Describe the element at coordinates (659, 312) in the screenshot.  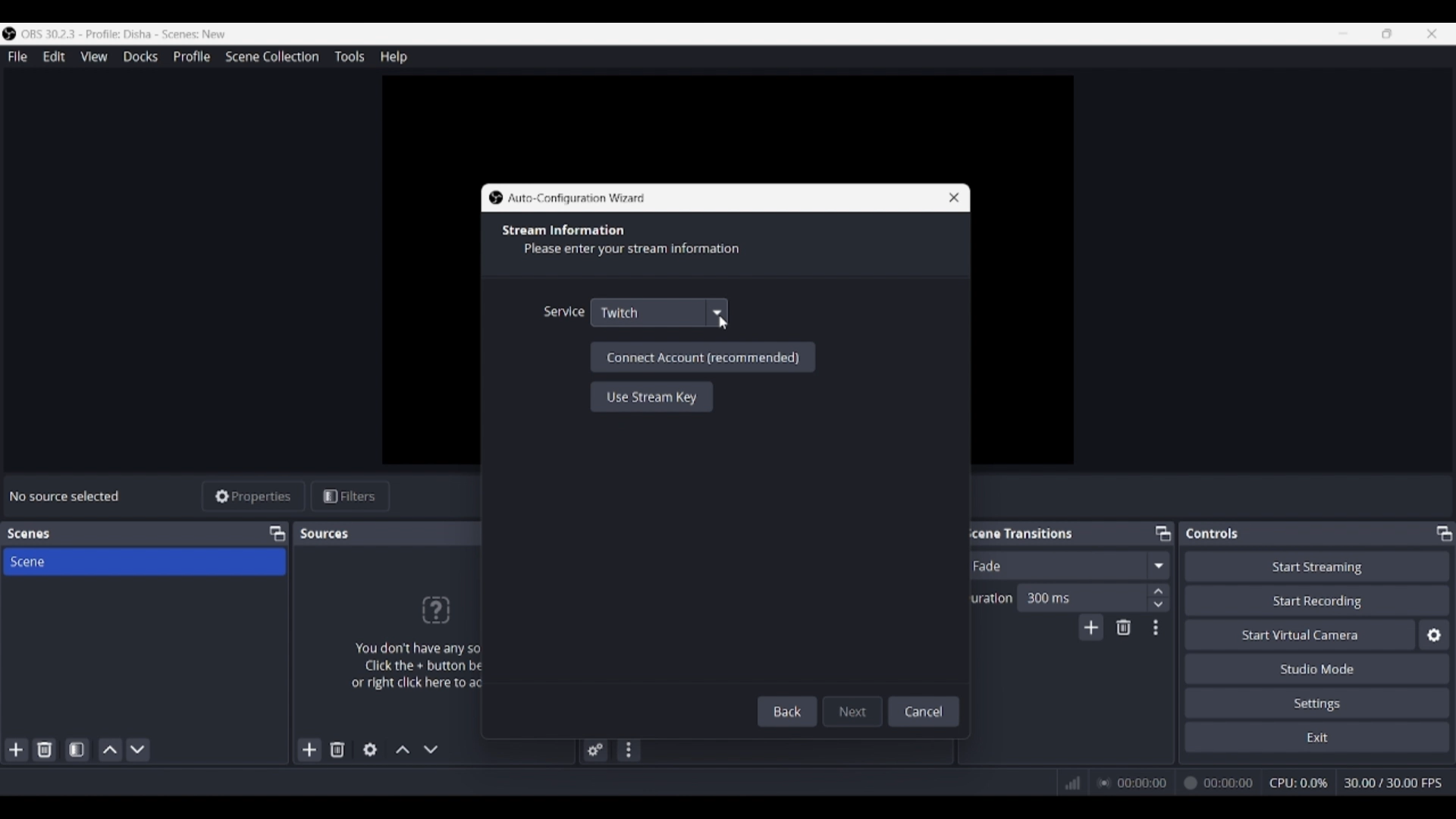
I see `Service options` at that location.